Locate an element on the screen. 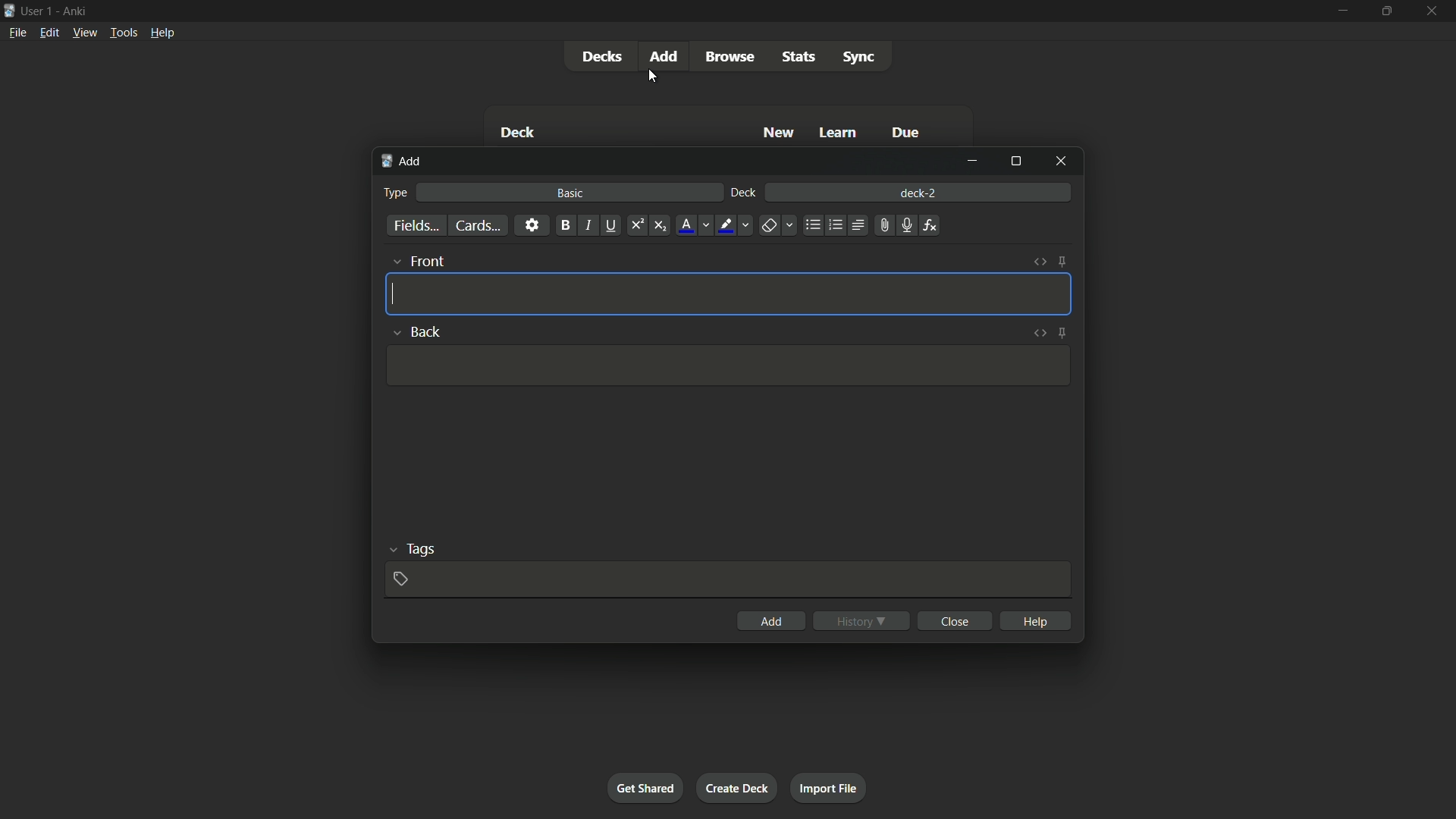 The image size is (1456, 819). alignment is located at coordinates (859, 224).